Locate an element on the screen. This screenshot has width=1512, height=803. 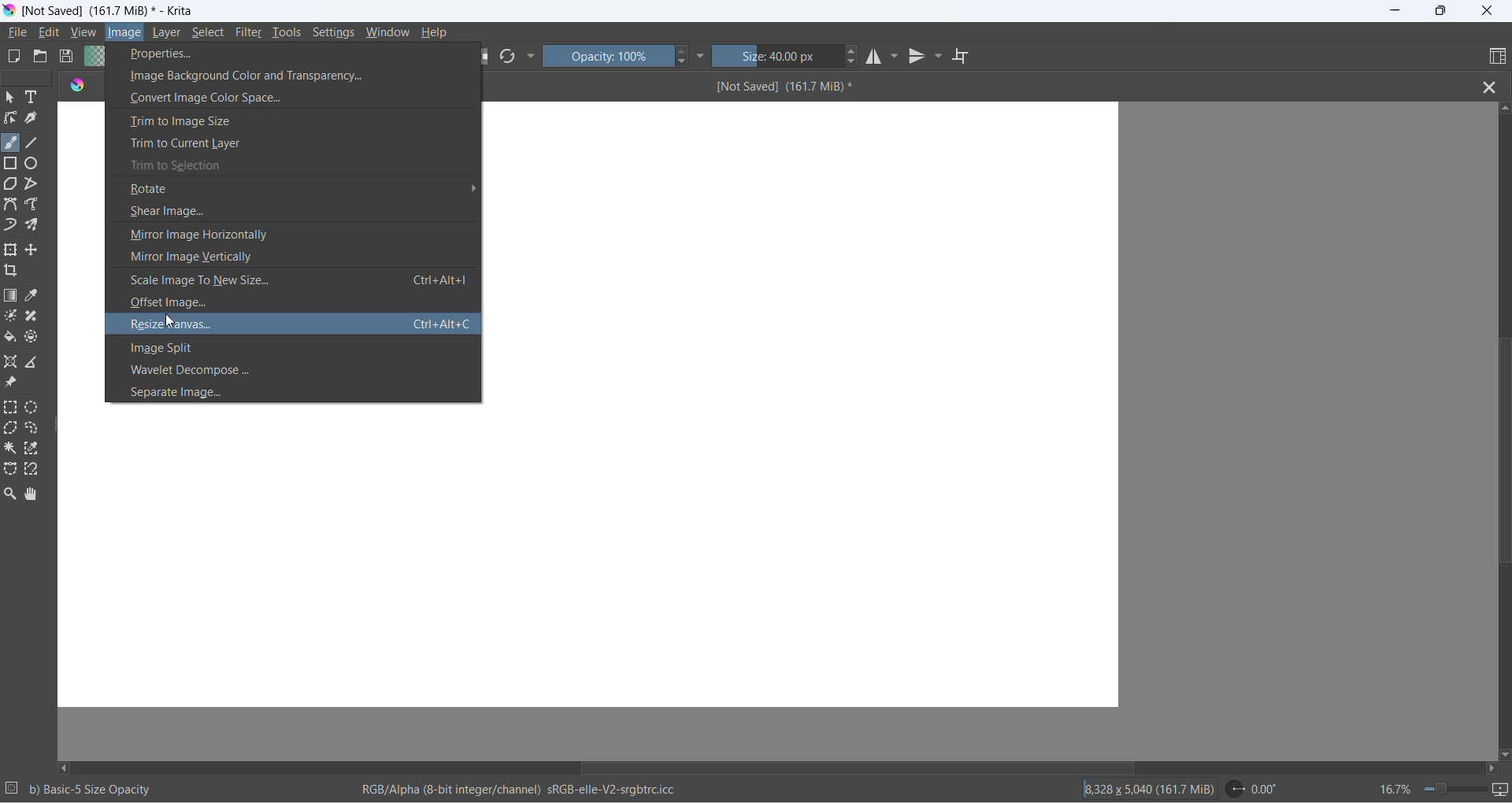
draw a gradient is located at coordinates (13, 297).